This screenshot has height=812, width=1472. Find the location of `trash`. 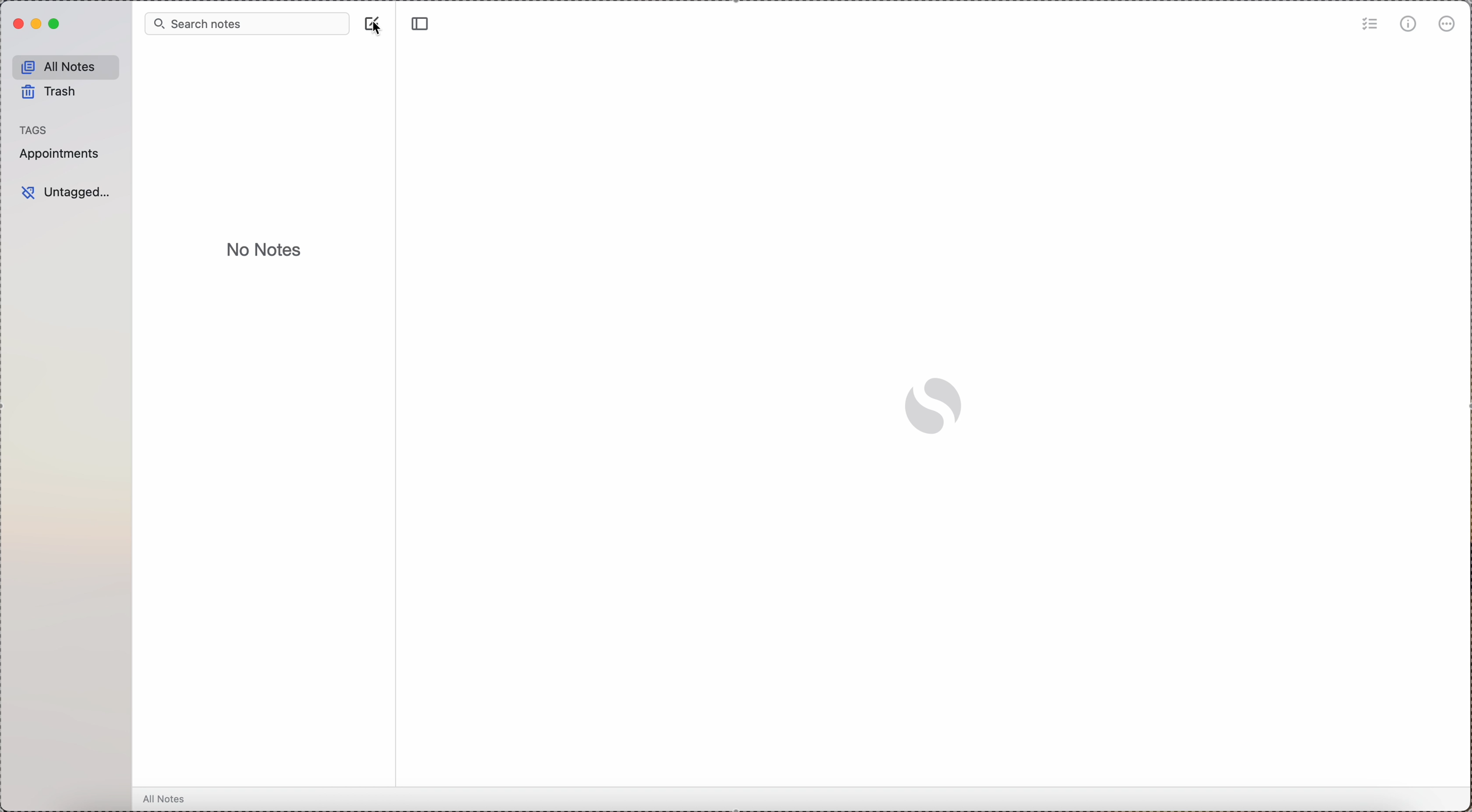

trash is located at coordinates (51, 94).